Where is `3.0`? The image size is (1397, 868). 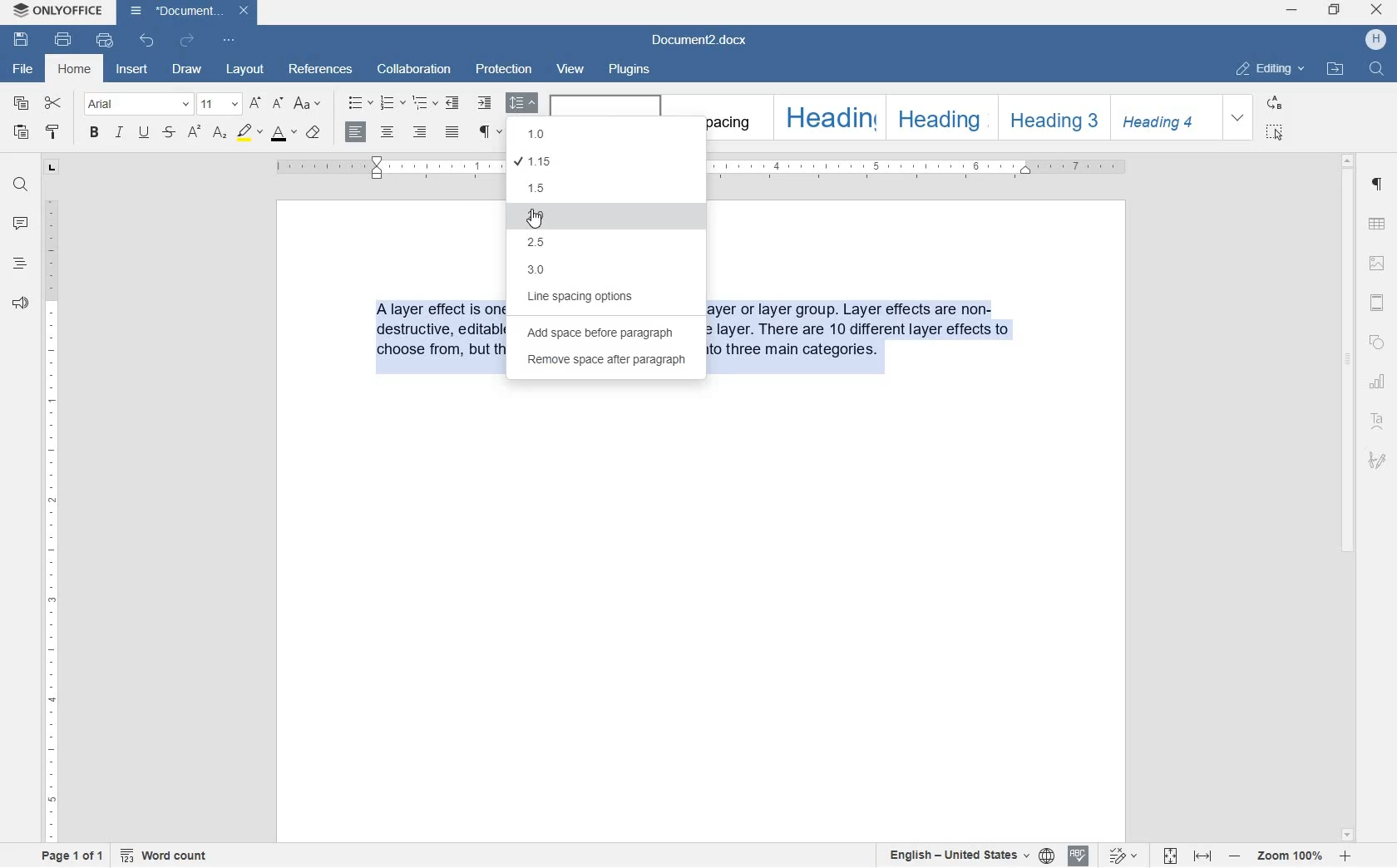 3.0 is located at coordinates (544, 271).